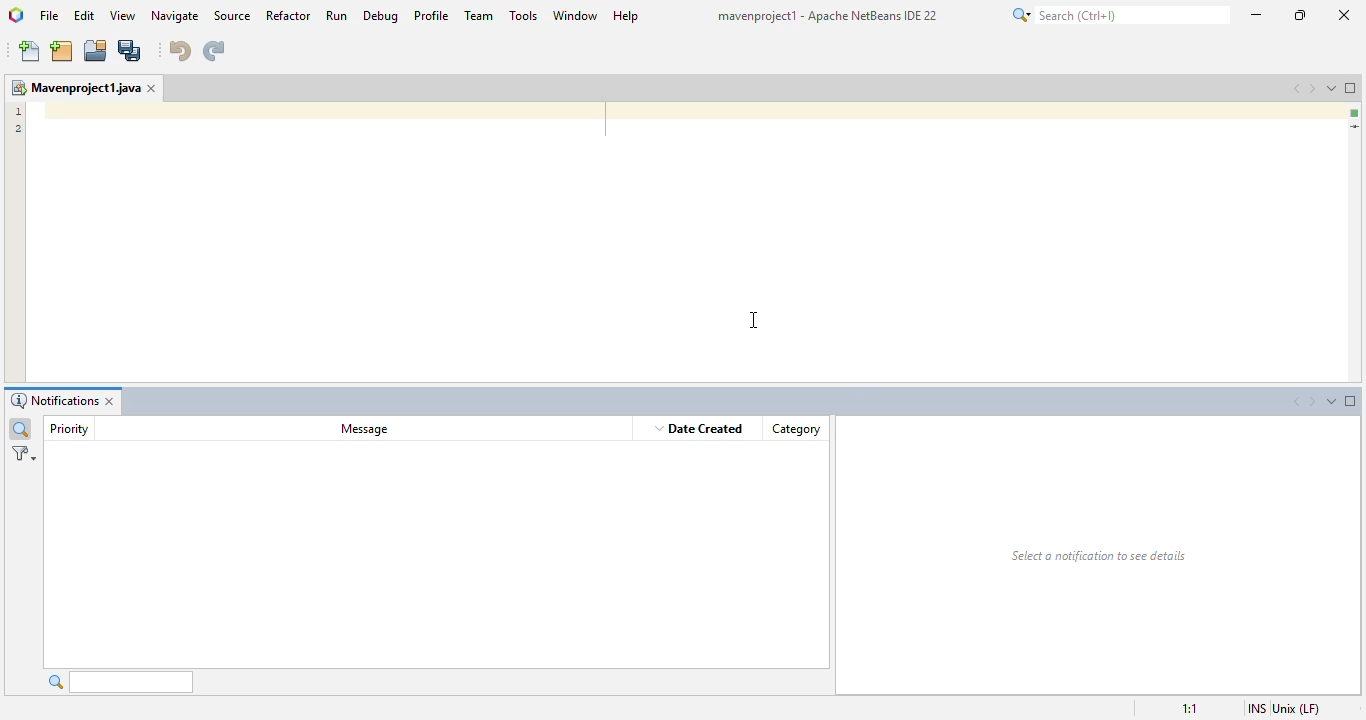  Describe the element at coordinates (17, 128) in the screenshot. I see `2` at that location.